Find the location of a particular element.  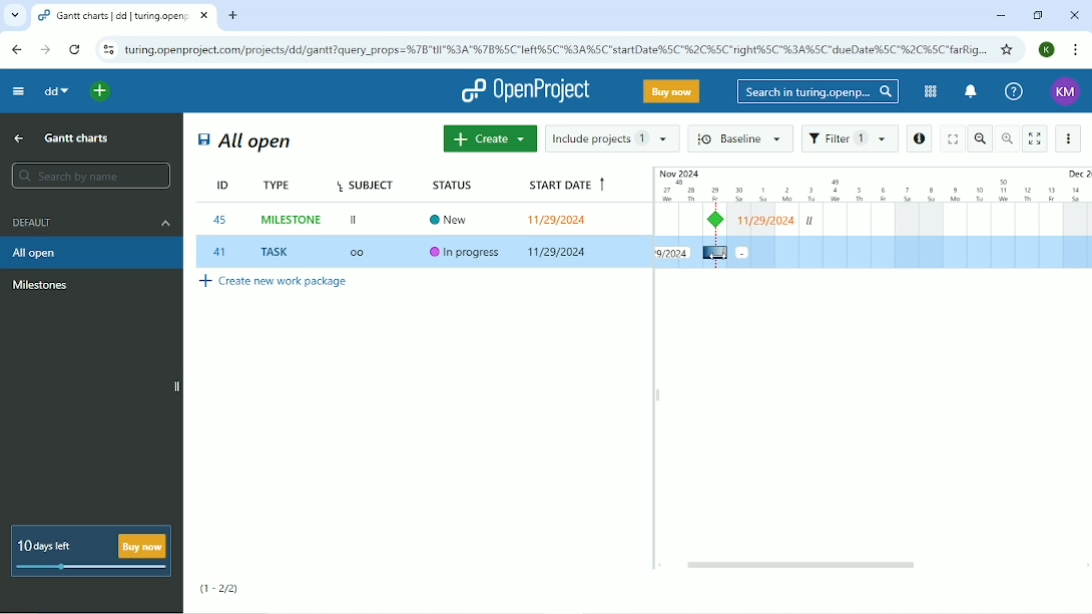

Create is located at coordinates (488, 139).